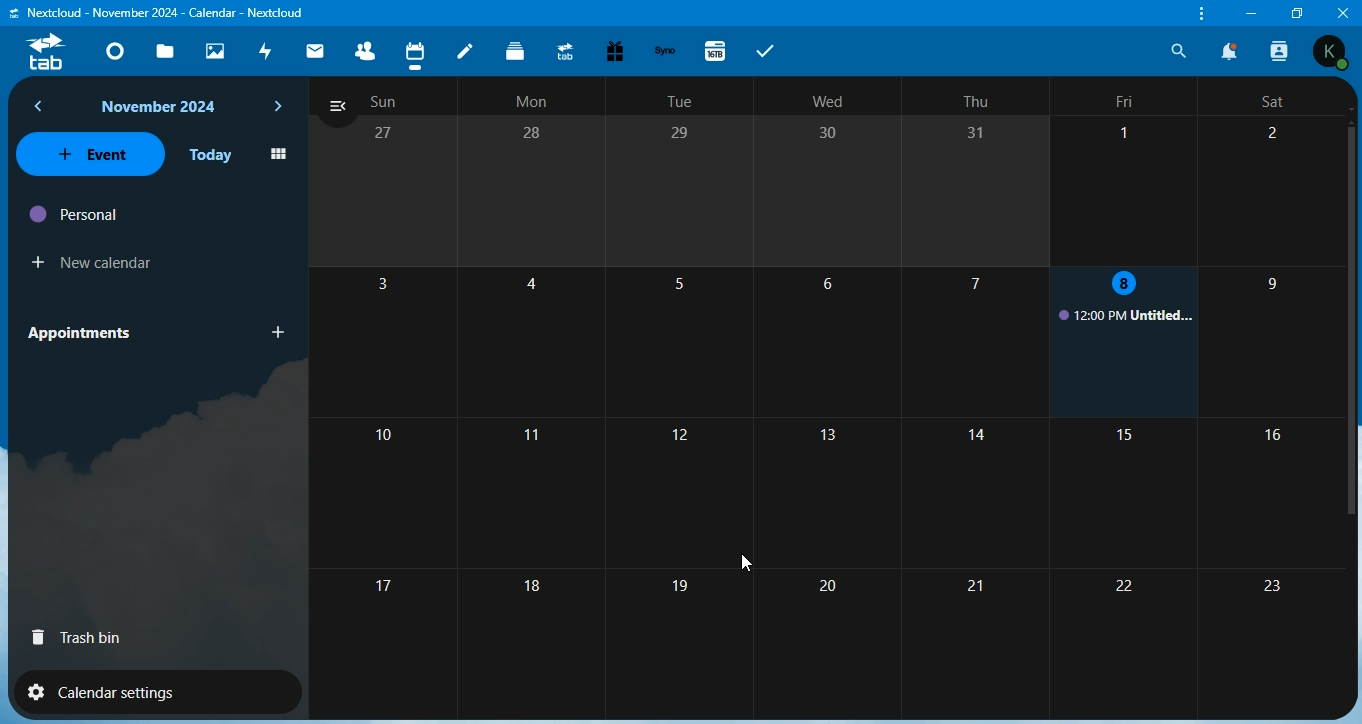  I want to click on text, so click(828, 100).